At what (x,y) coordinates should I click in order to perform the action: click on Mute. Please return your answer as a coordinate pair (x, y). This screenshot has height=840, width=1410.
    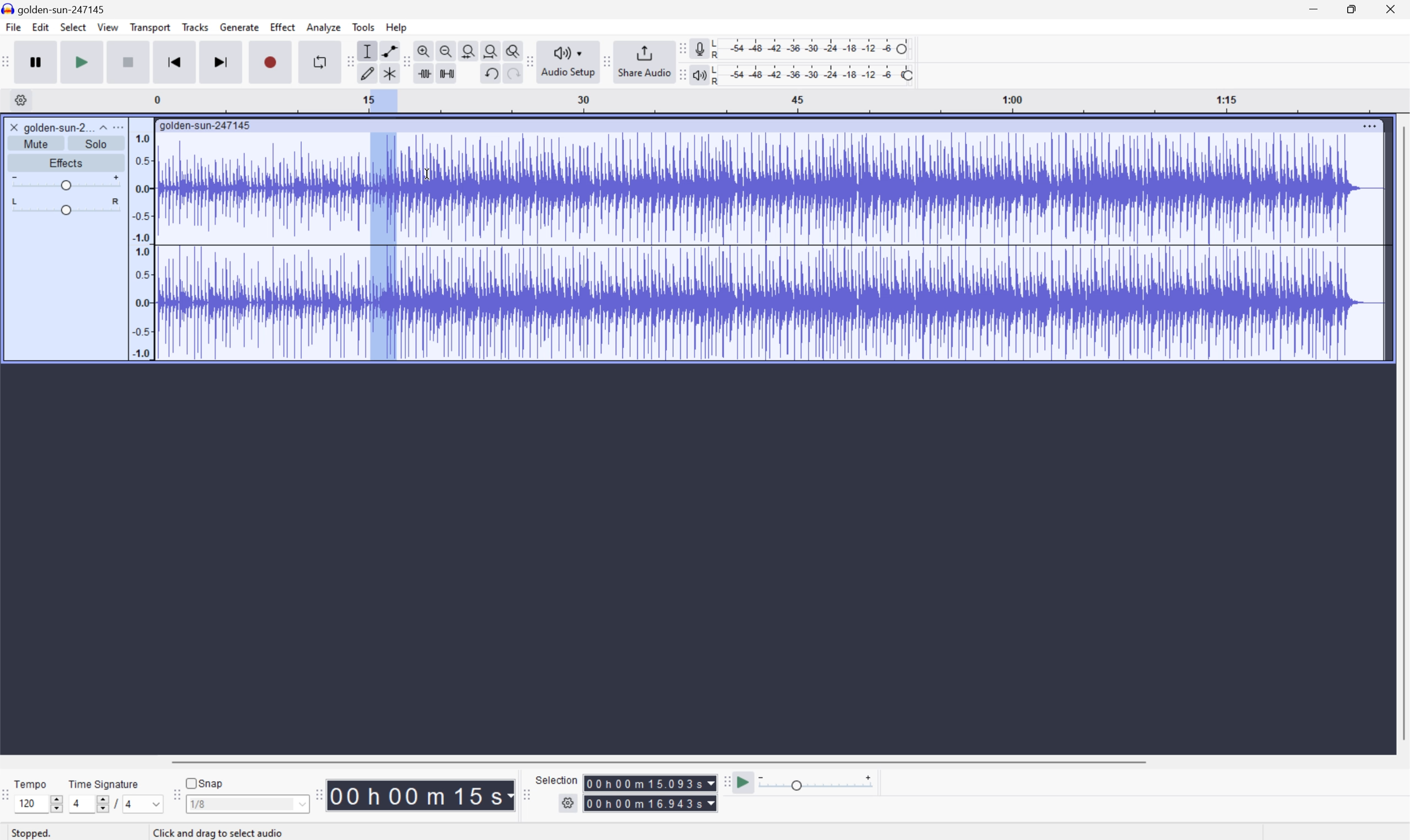
    Looking at the image, I should click on (40, 143).